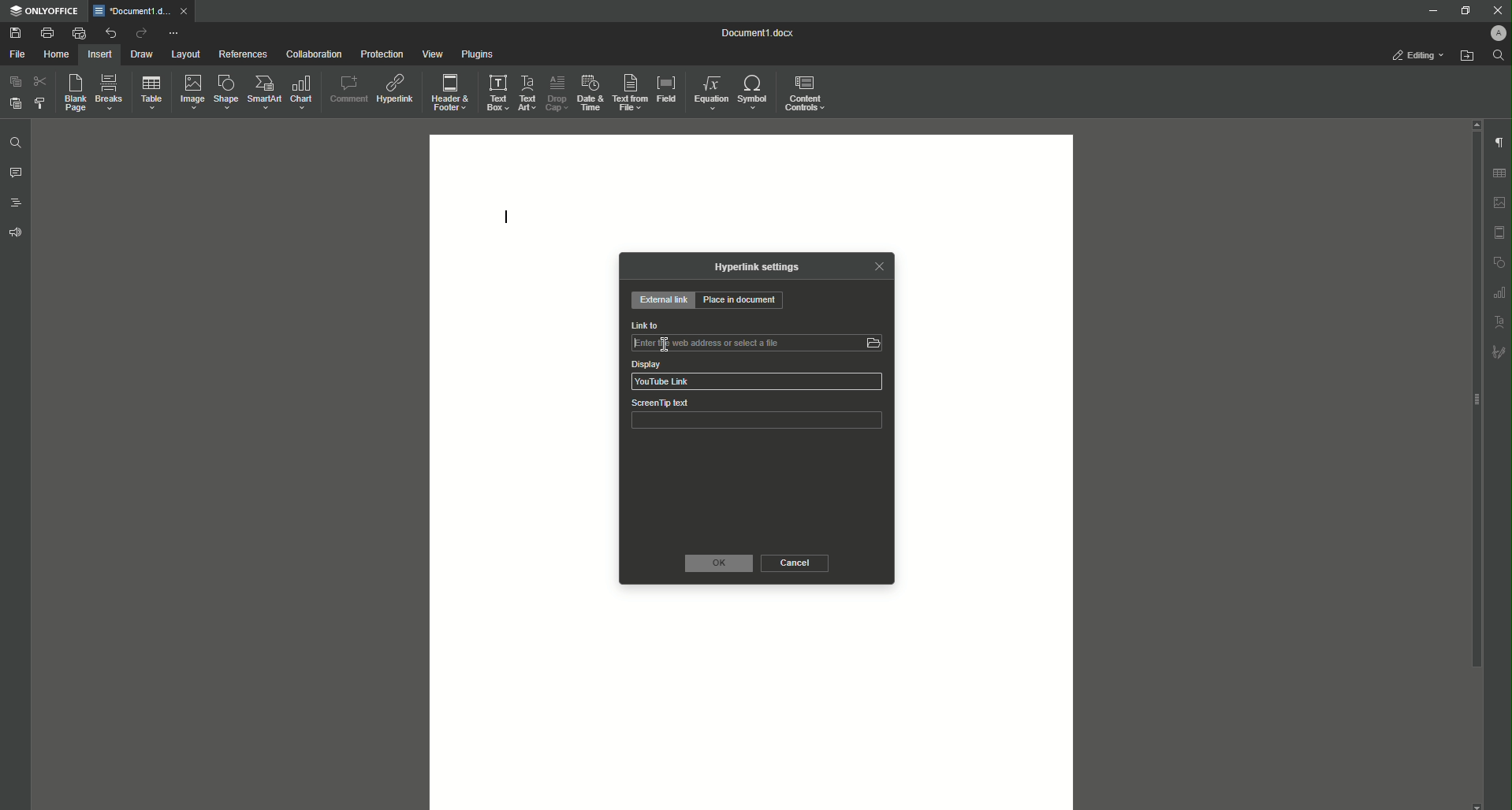 This screenshot has height=810, width=1512. Describe the element at coordinates (758, 423) in the screenshot. I see `ScreenTip text` at that location.